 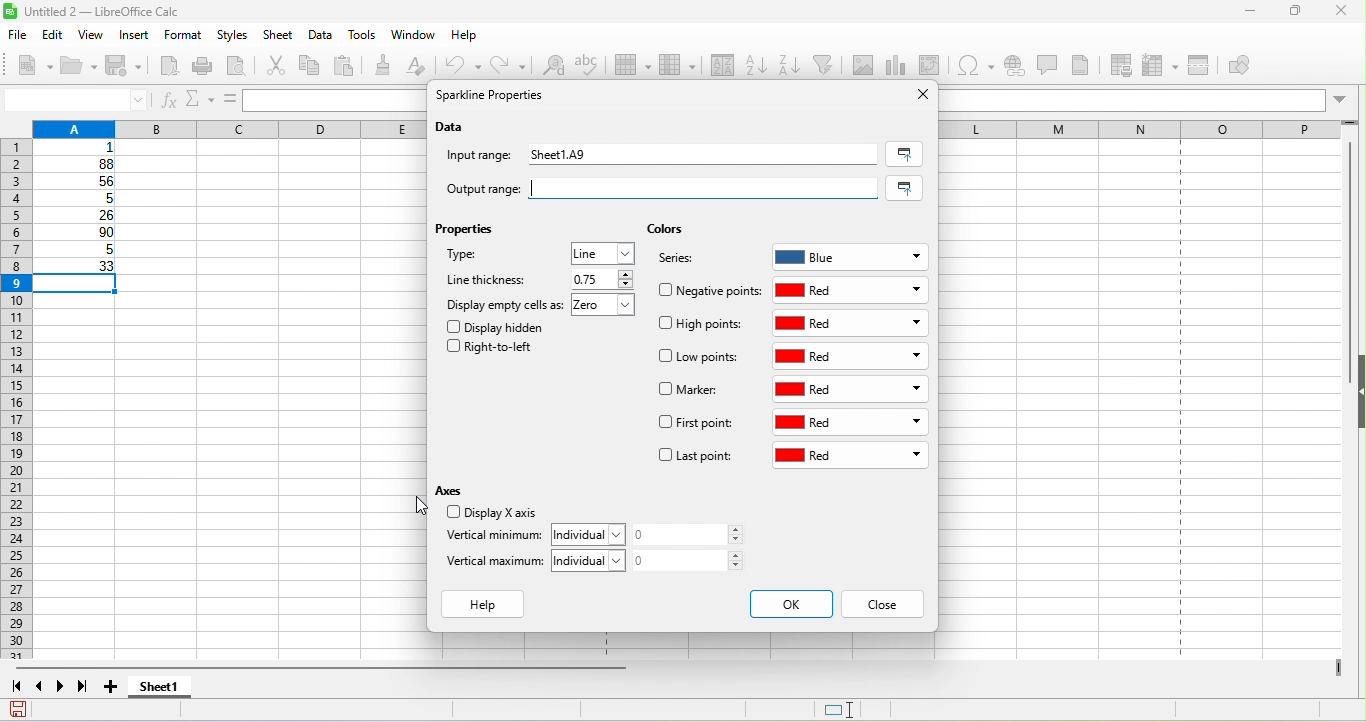 What do you see at coordinates (311, 65) in the screenshot?
I see `copy` at bounding box center [311, 65].